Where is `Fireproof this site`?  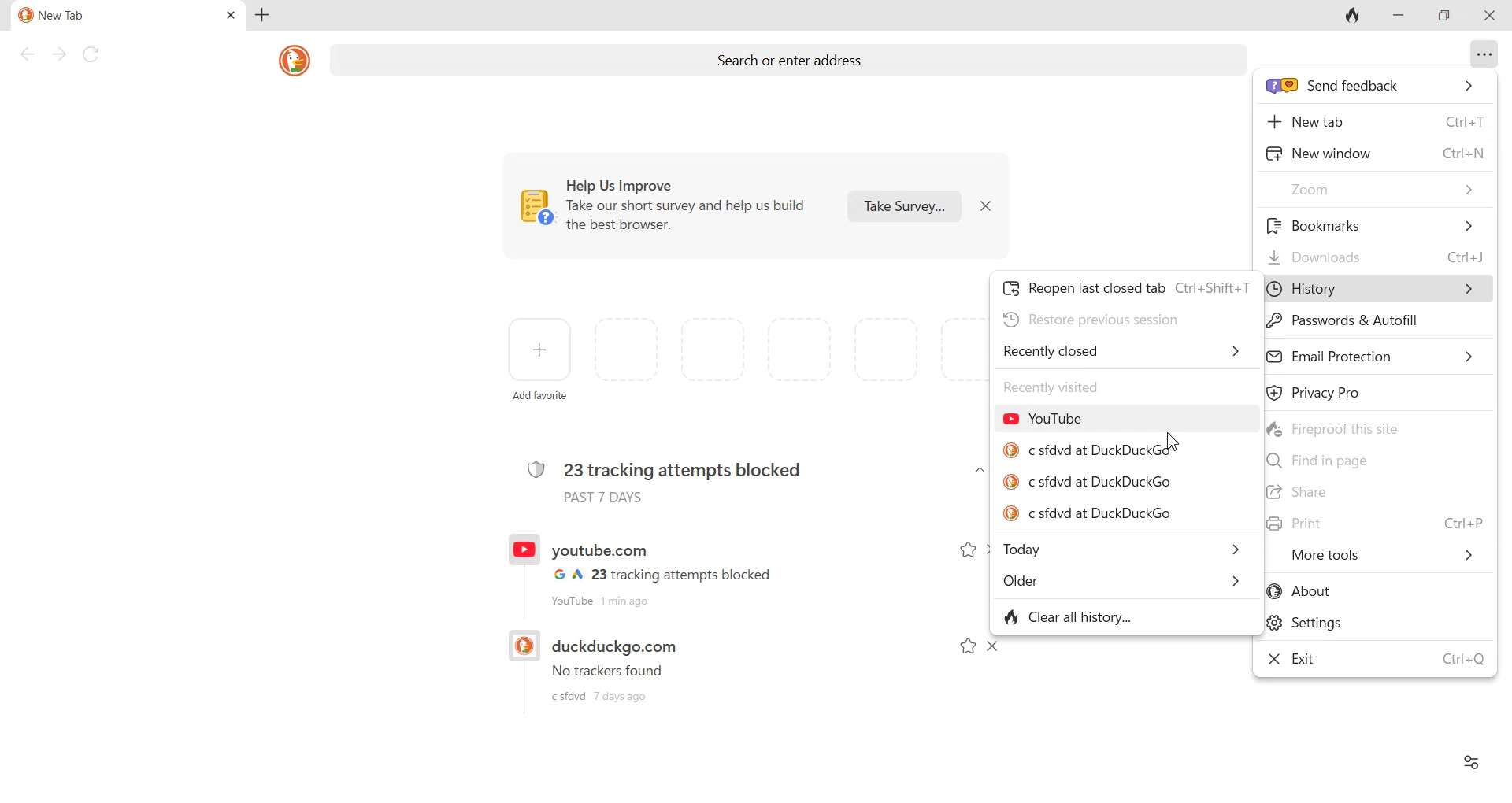 Fireproof this site is located at coordinates (1376, 427).